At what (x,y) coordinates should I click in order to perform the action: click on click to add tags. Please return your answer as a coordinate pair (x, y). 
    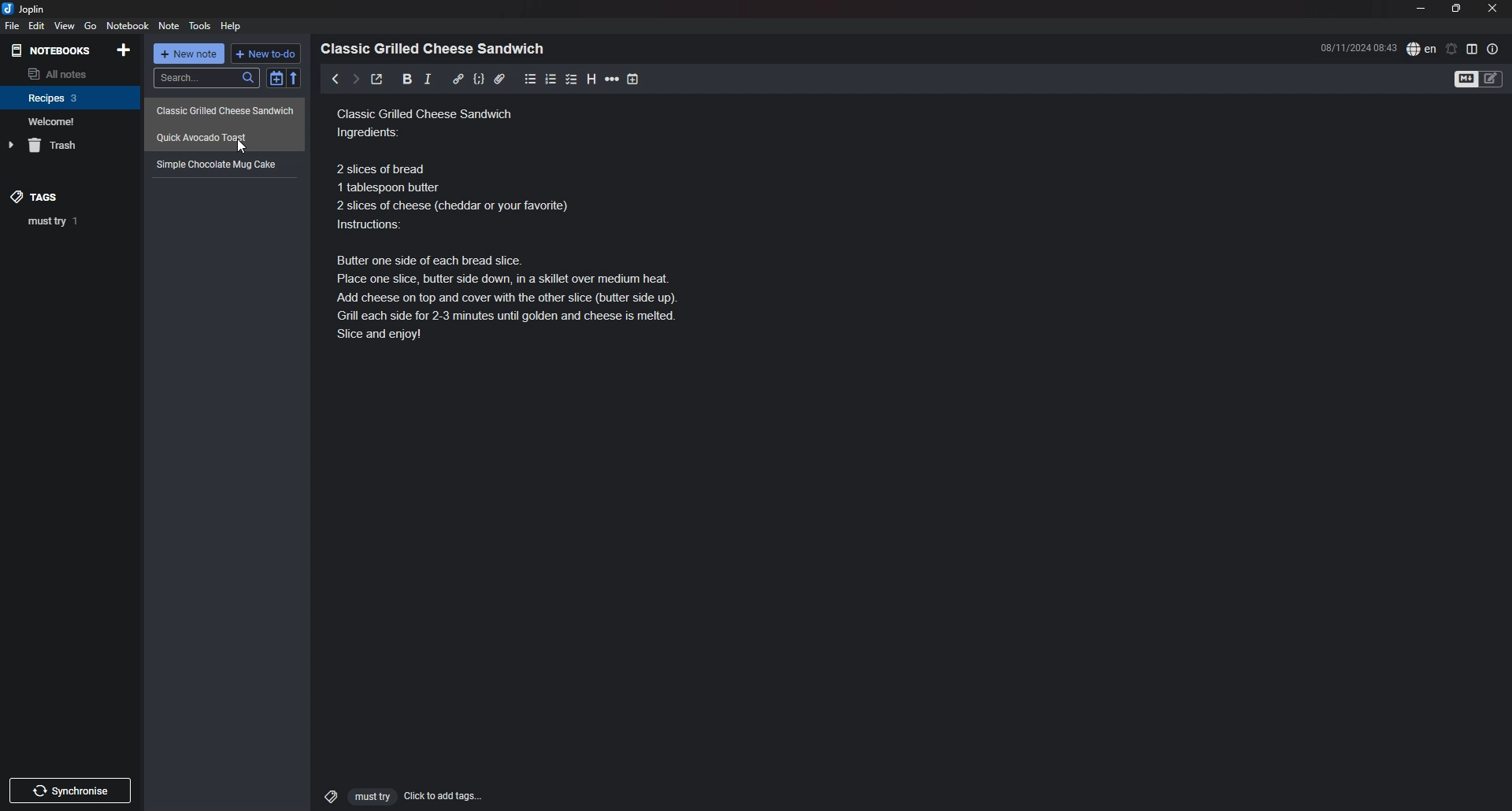
    Looking at the image, I should click on (396, 795).